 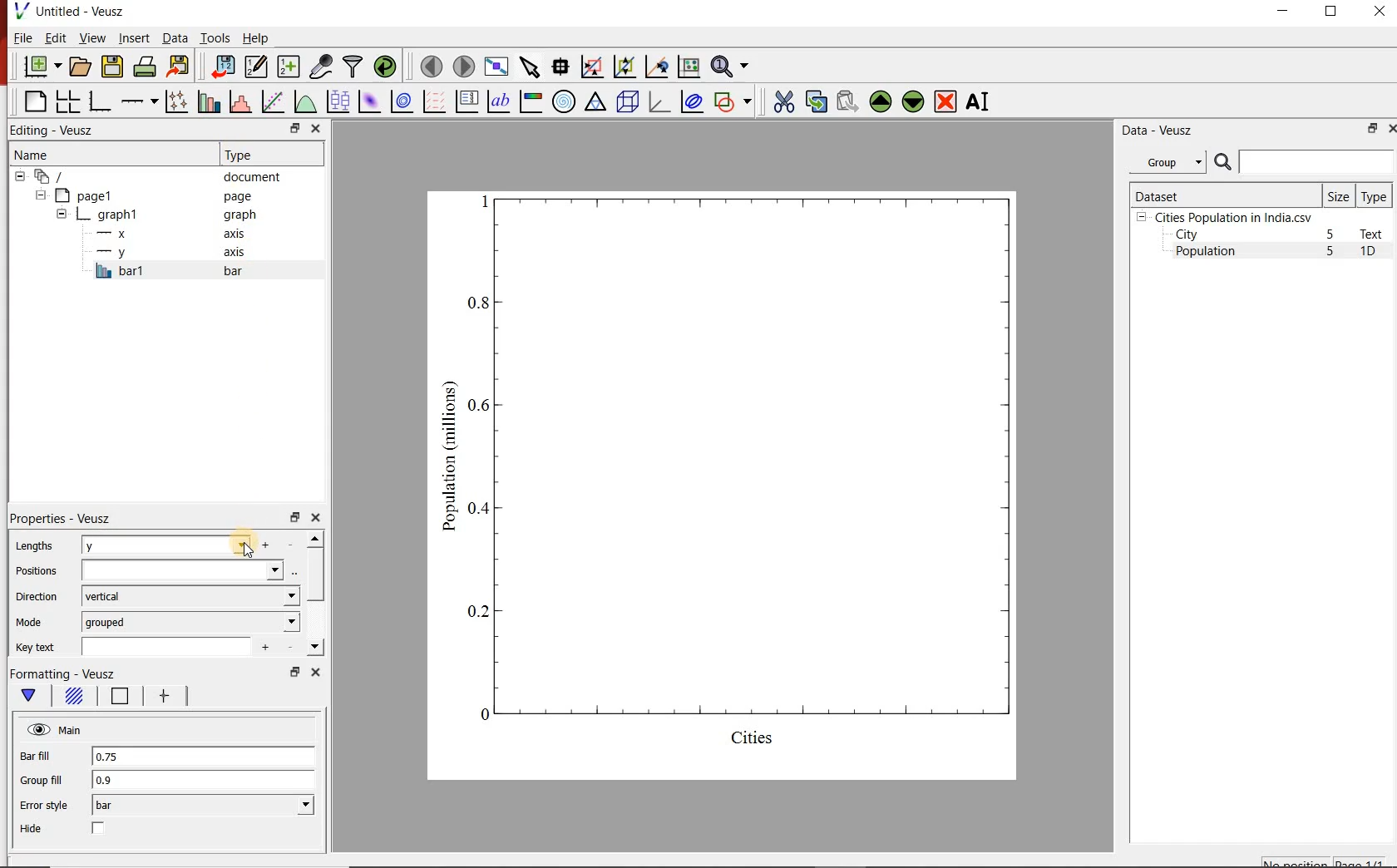 I want to click on 5, so click(x=1331, y=235).